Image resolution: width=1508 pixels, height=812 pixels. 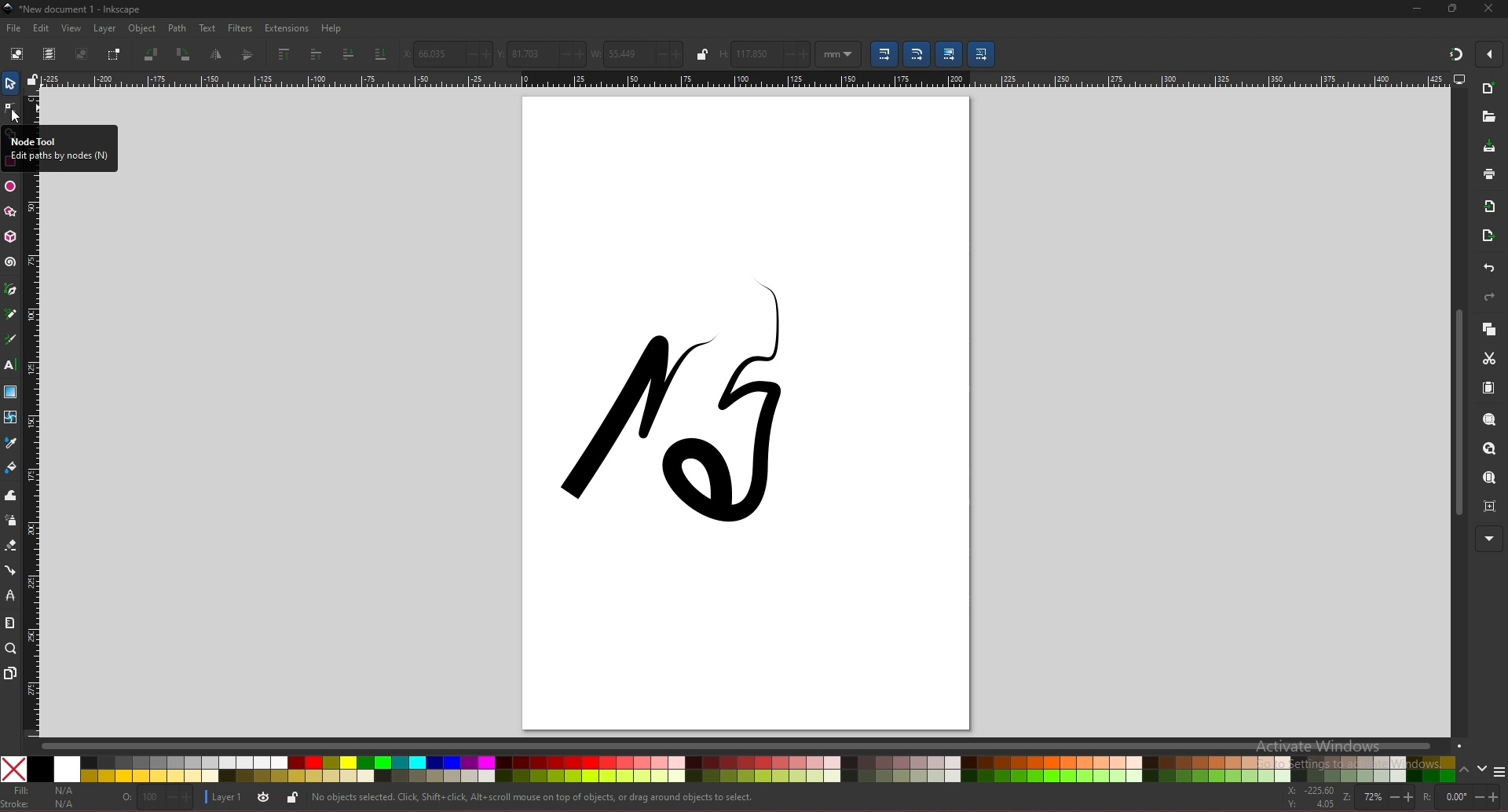 What do you see at coordinates (948, 55) in the screenshot?
I see `move gradient` at bounding box center [948, 55].